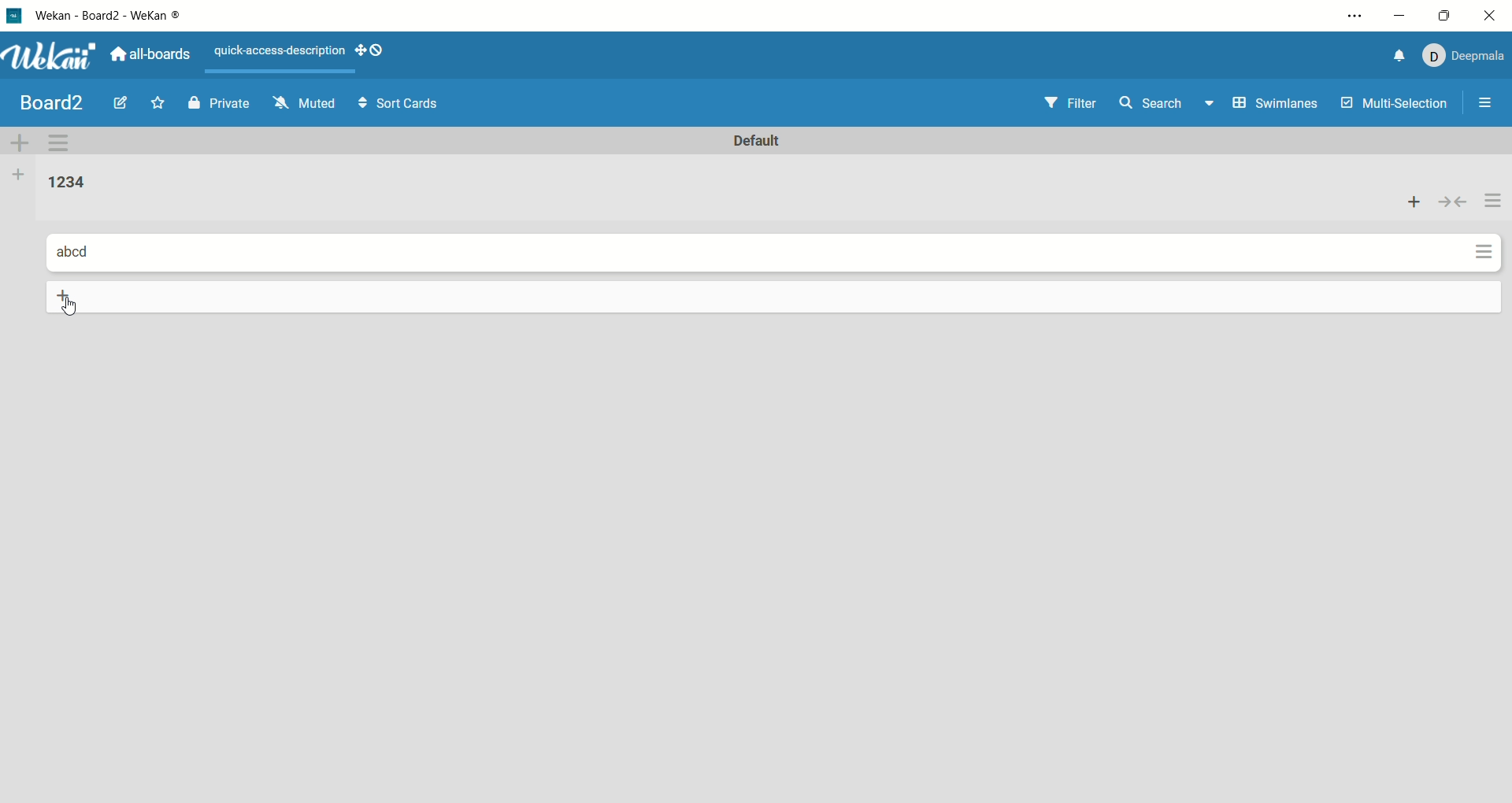  Describe the element at coordinates (1455, 202) in the screenshot. I see `collapse` at that location.